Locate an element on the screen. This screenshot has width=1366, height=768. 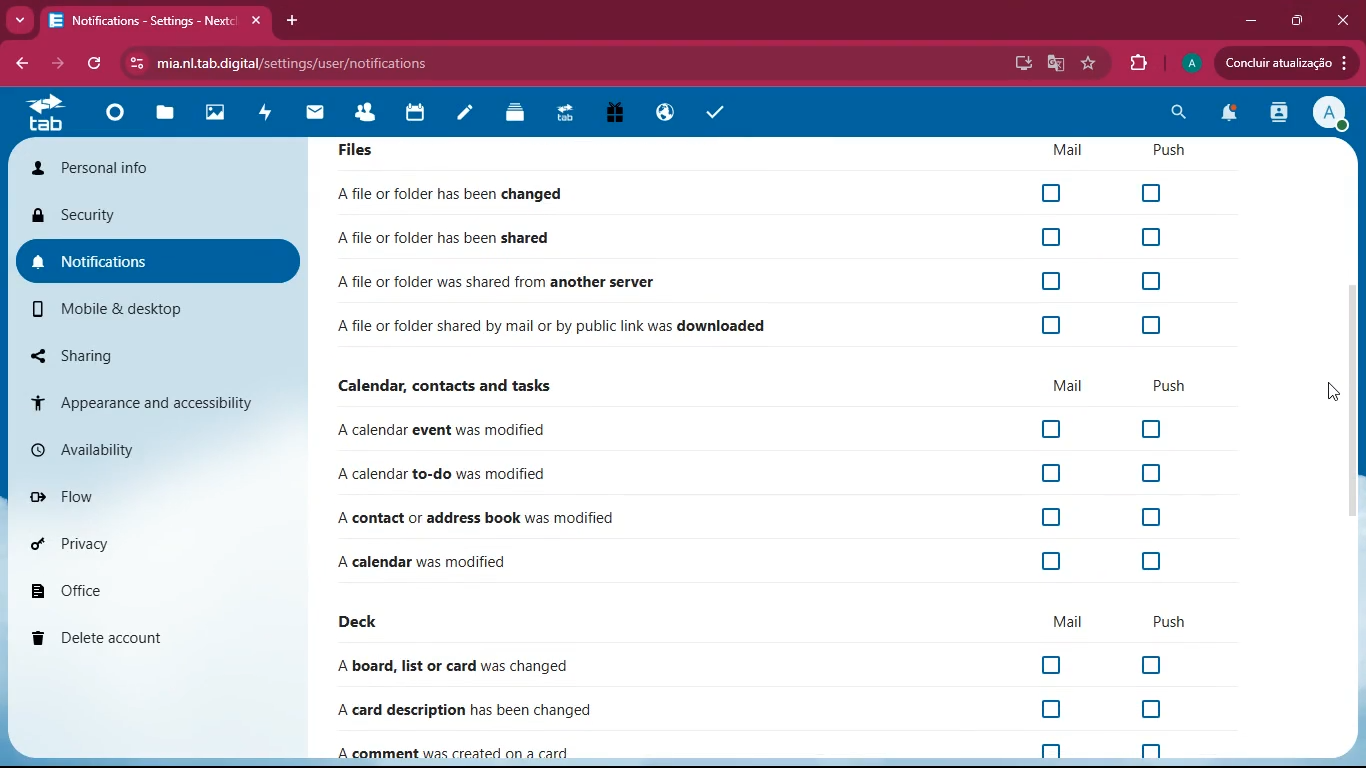
google translate is located at coordinates (1055, 63).